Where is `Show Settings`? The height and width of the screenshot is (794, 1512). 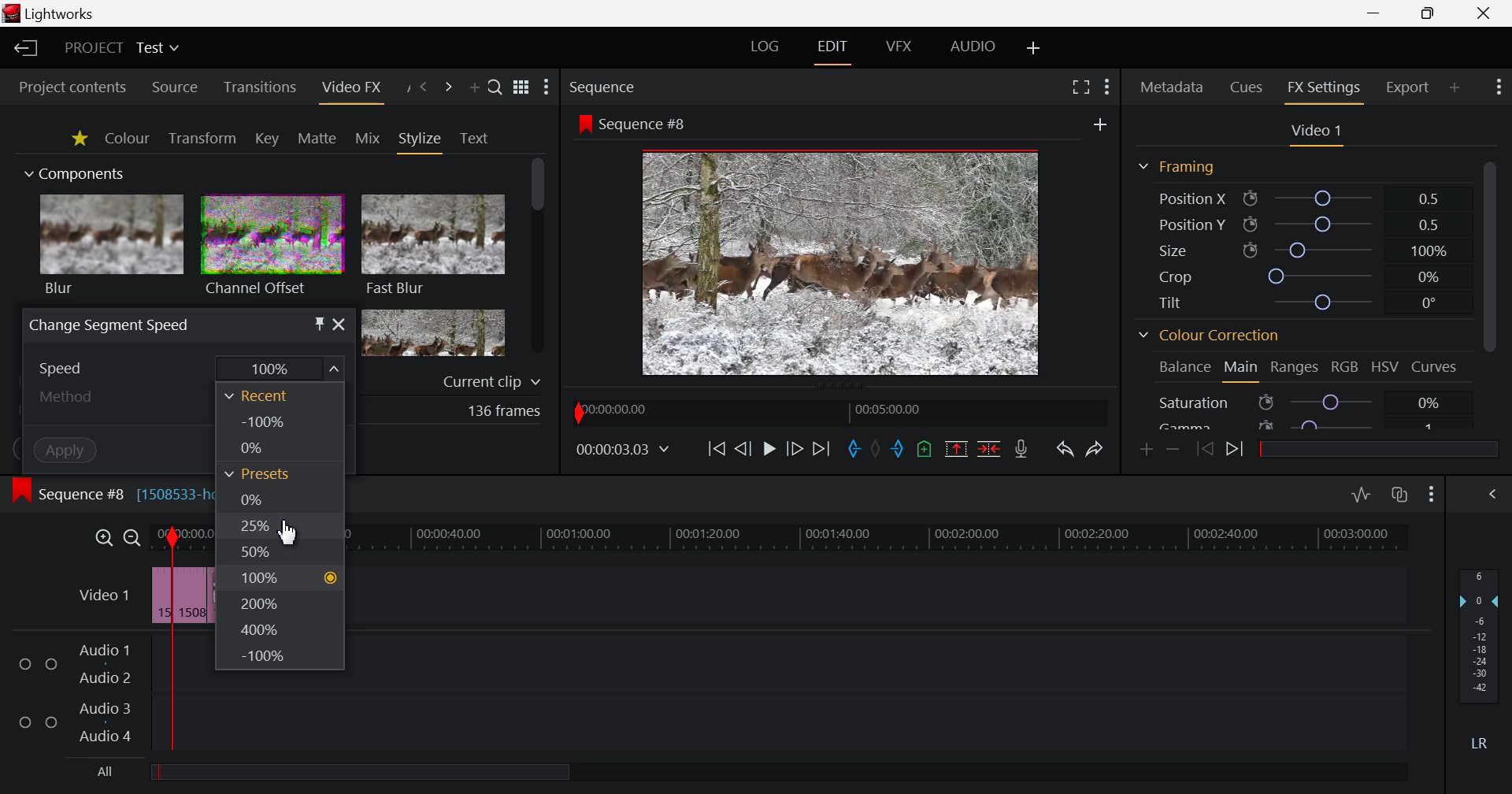
Show Settings is located at coordinates (1432, 496).